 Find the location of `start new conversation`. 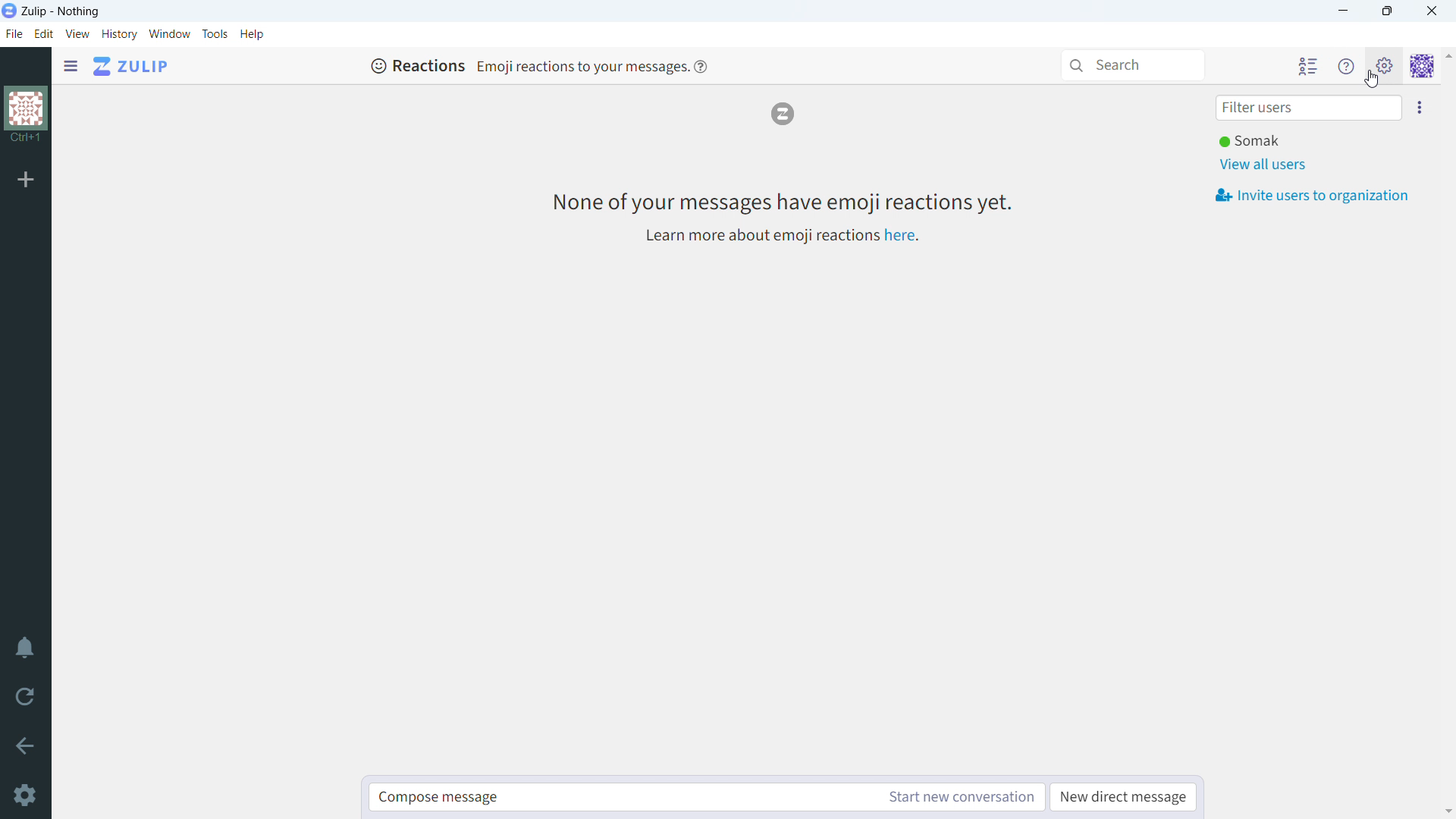

start new conversation is located at coordinates (960, 797).